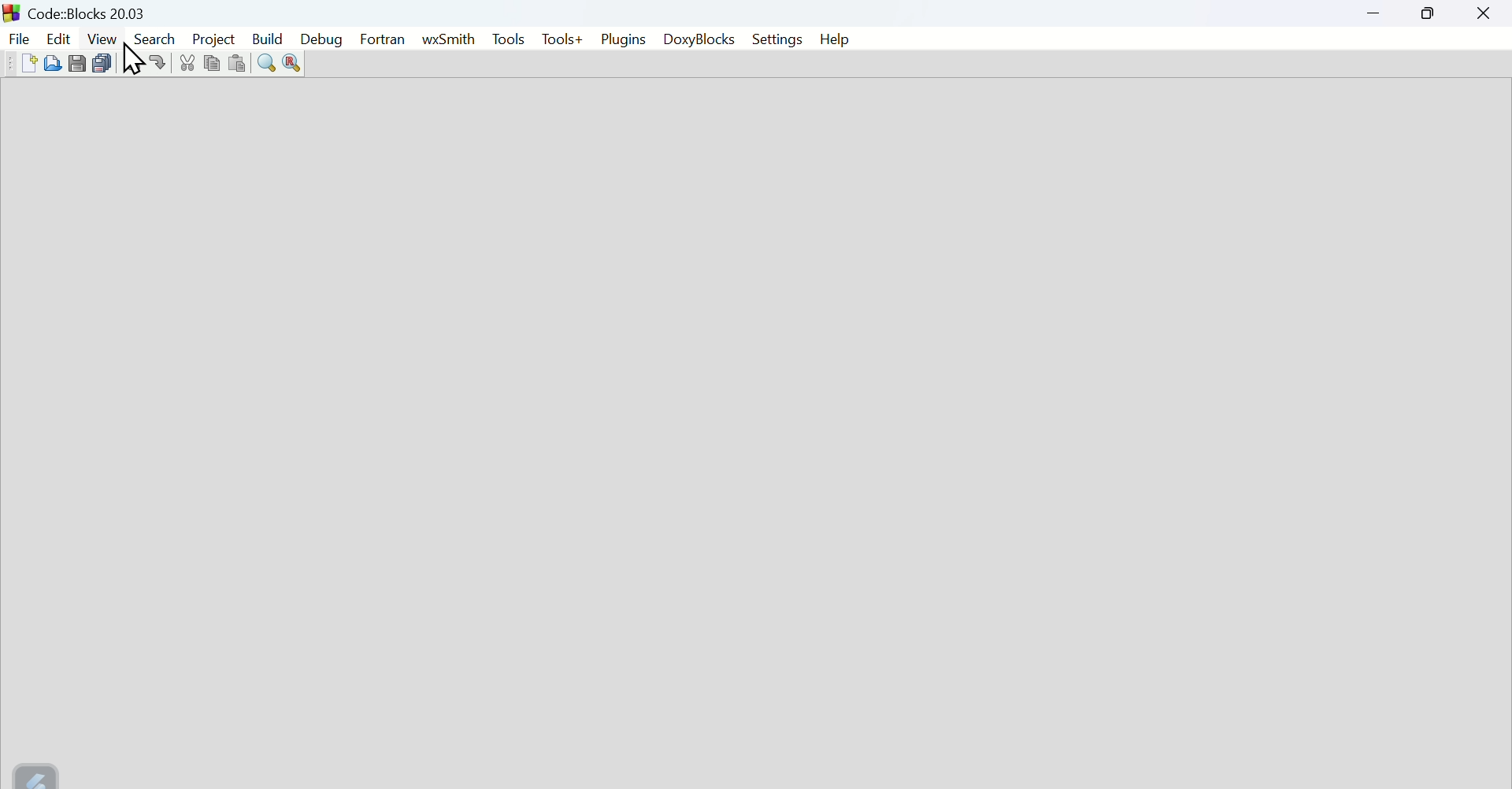 This screenshot has width=1512, height=789. Describe the element at coordinates (239, 63) in the screenshot. I see `Paste` at that location.